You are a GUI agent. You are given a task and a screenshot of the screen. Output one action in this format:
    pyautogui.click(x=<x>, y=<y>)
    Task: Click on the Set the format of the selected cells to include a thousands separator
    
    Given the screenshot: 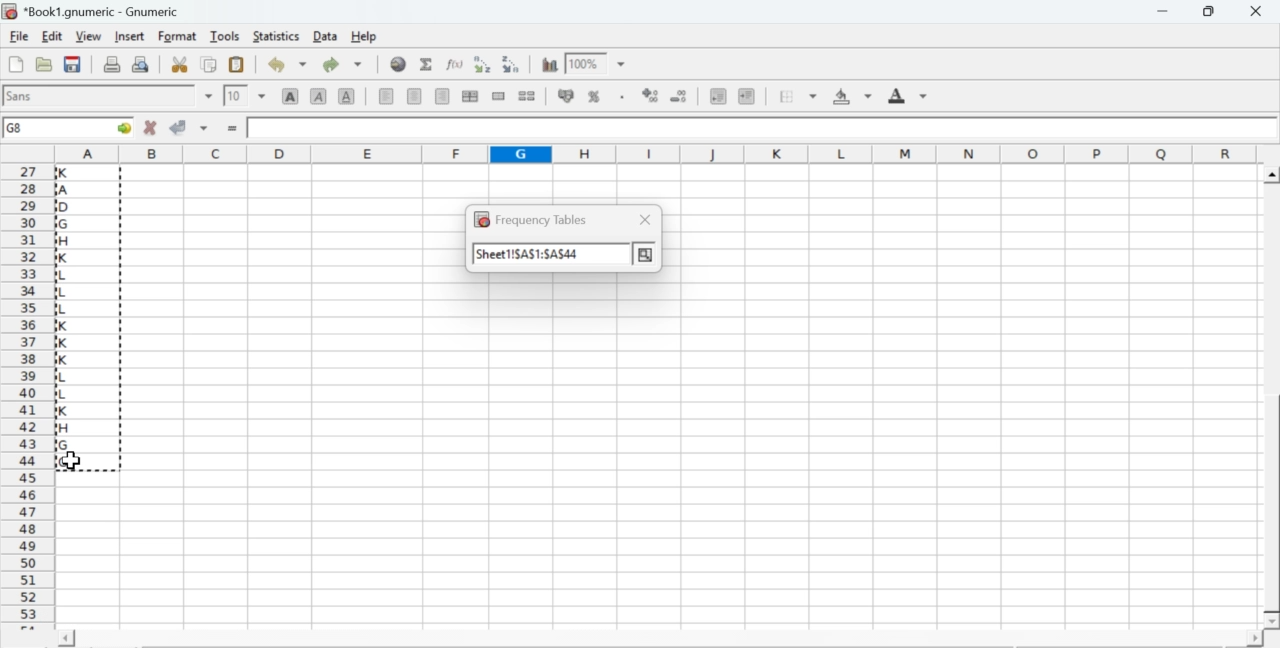 What is the action you would take?
    pyautogui.click(x=620, y=97)
    